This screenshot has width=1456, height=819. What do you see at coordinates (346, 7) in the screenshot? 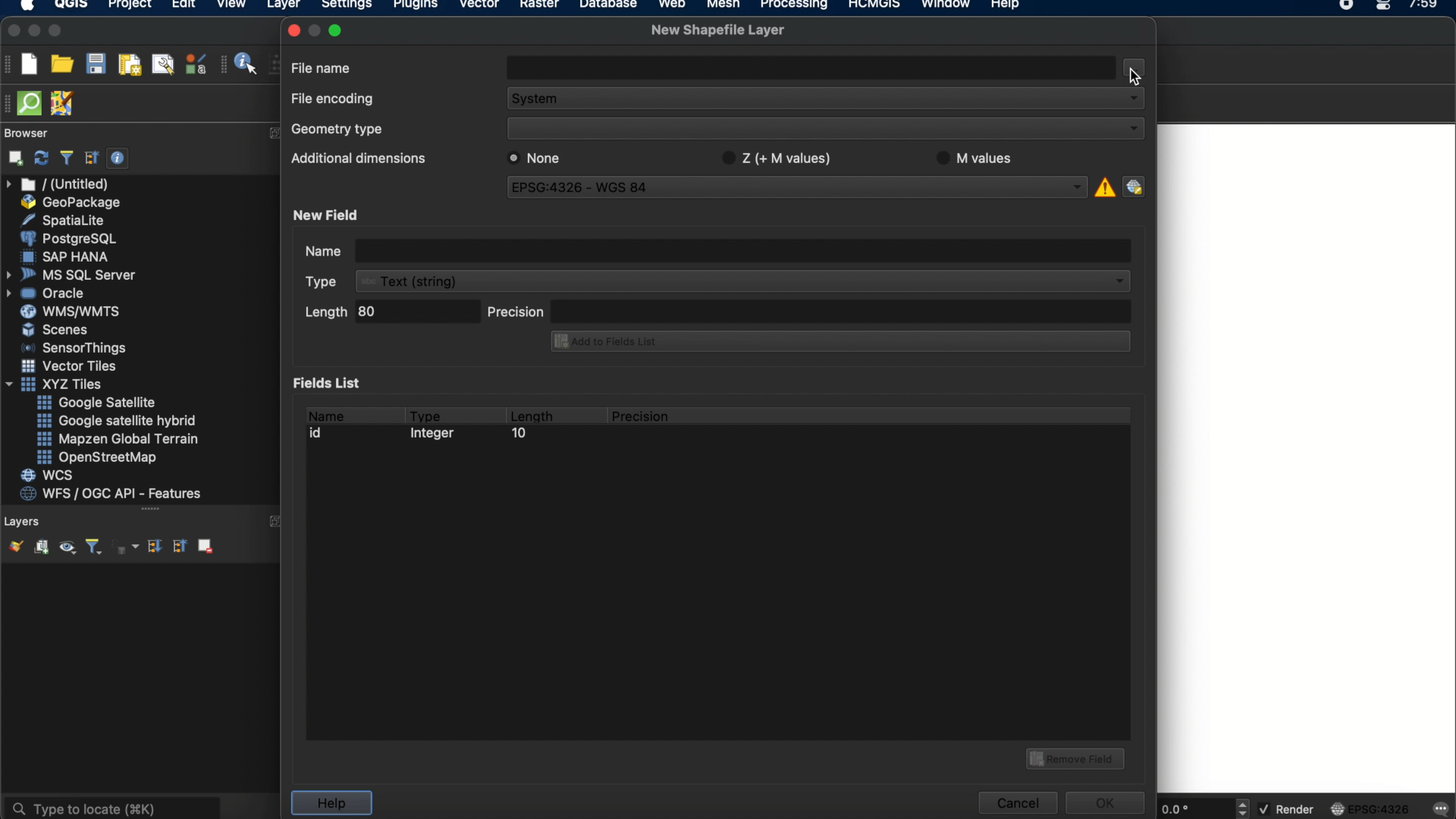
I see `settings` at bounding box center [346, 7].